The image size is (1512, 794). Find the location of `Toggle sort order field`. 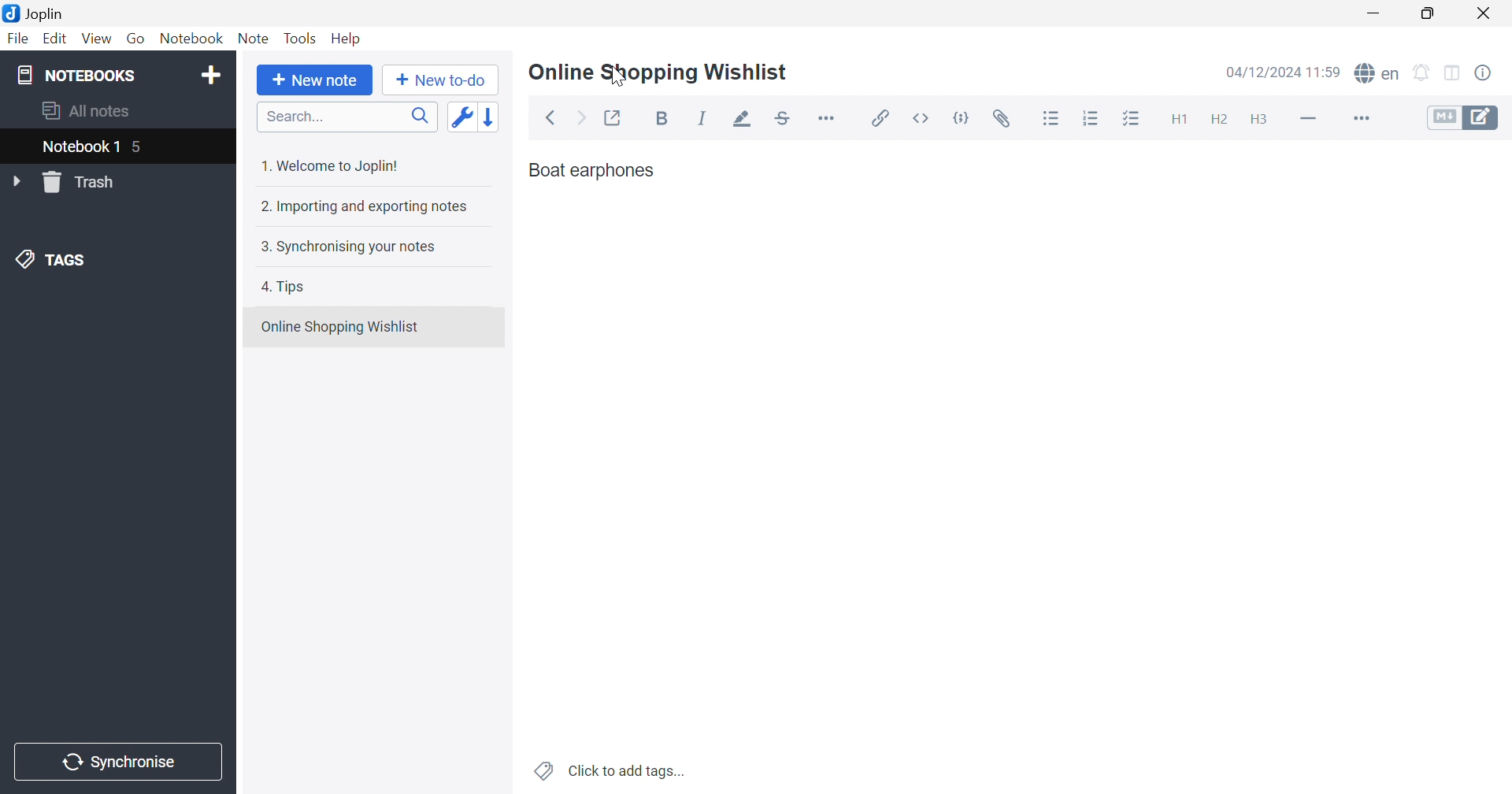

Toggle sort order field is located at coordinates (461, 117).